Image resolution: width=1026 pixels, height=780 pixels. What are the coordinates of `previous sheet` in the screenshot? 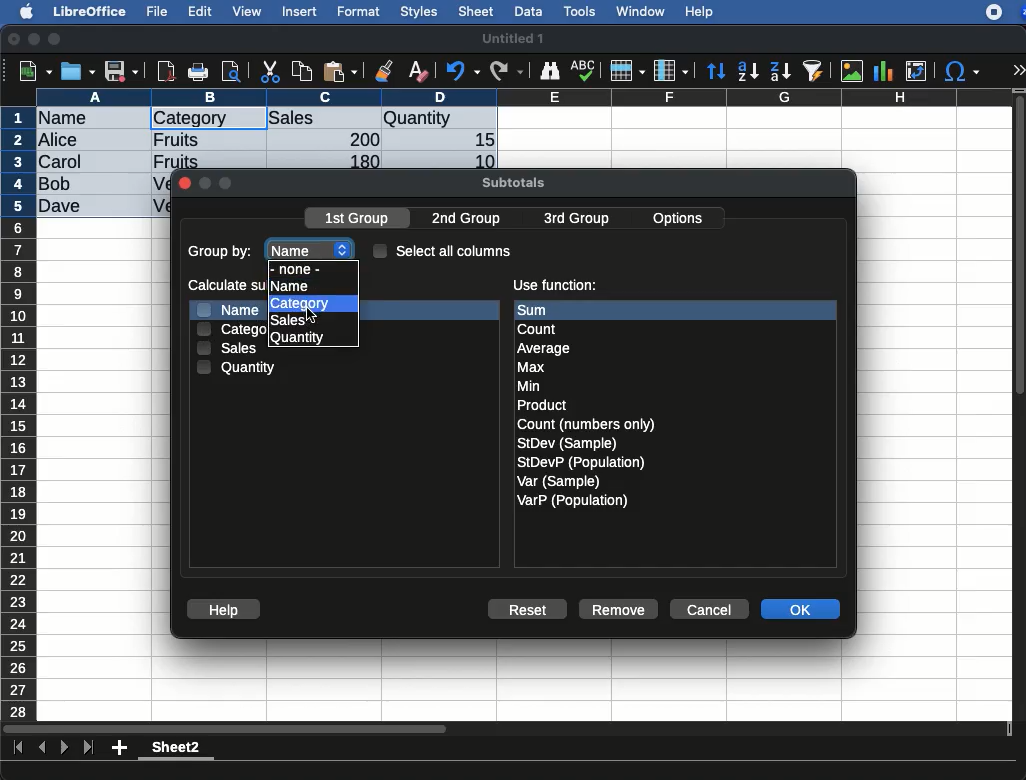 It's located at (44, 748).